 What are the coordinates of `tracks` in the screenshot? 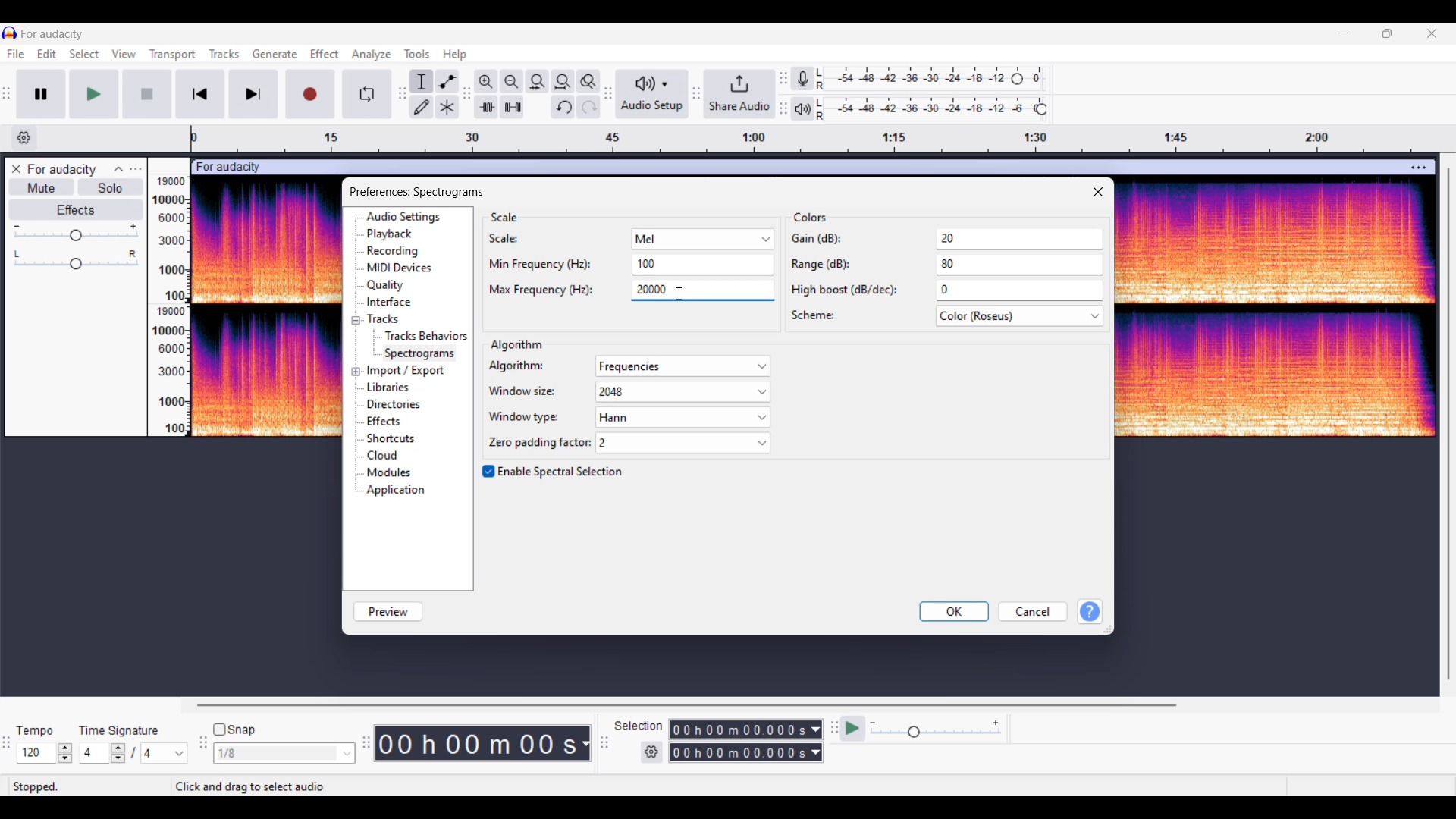 It's located at (387, 319).